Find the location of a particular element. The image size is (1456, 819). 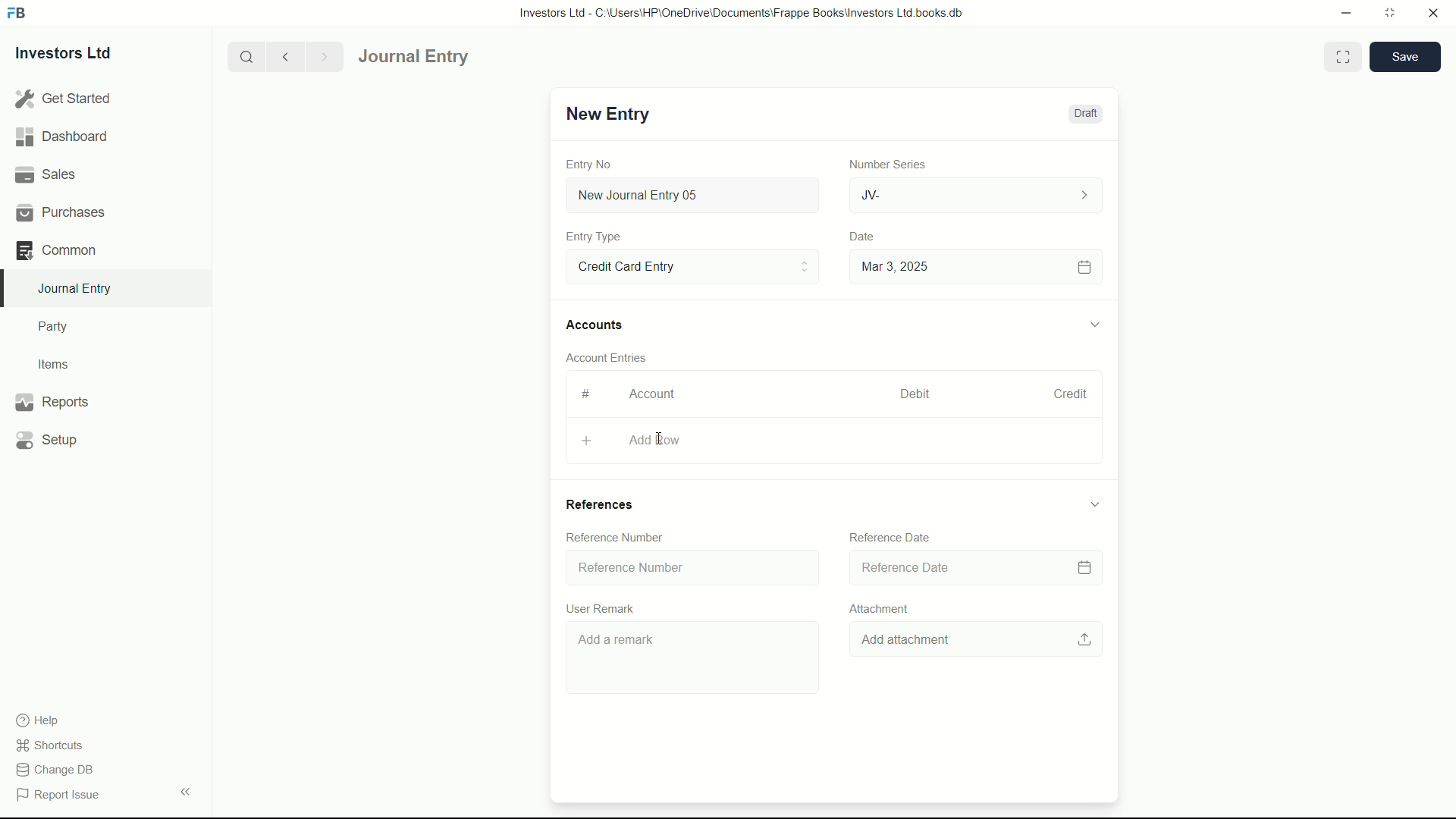

JV is located at coordinates (978, 193).